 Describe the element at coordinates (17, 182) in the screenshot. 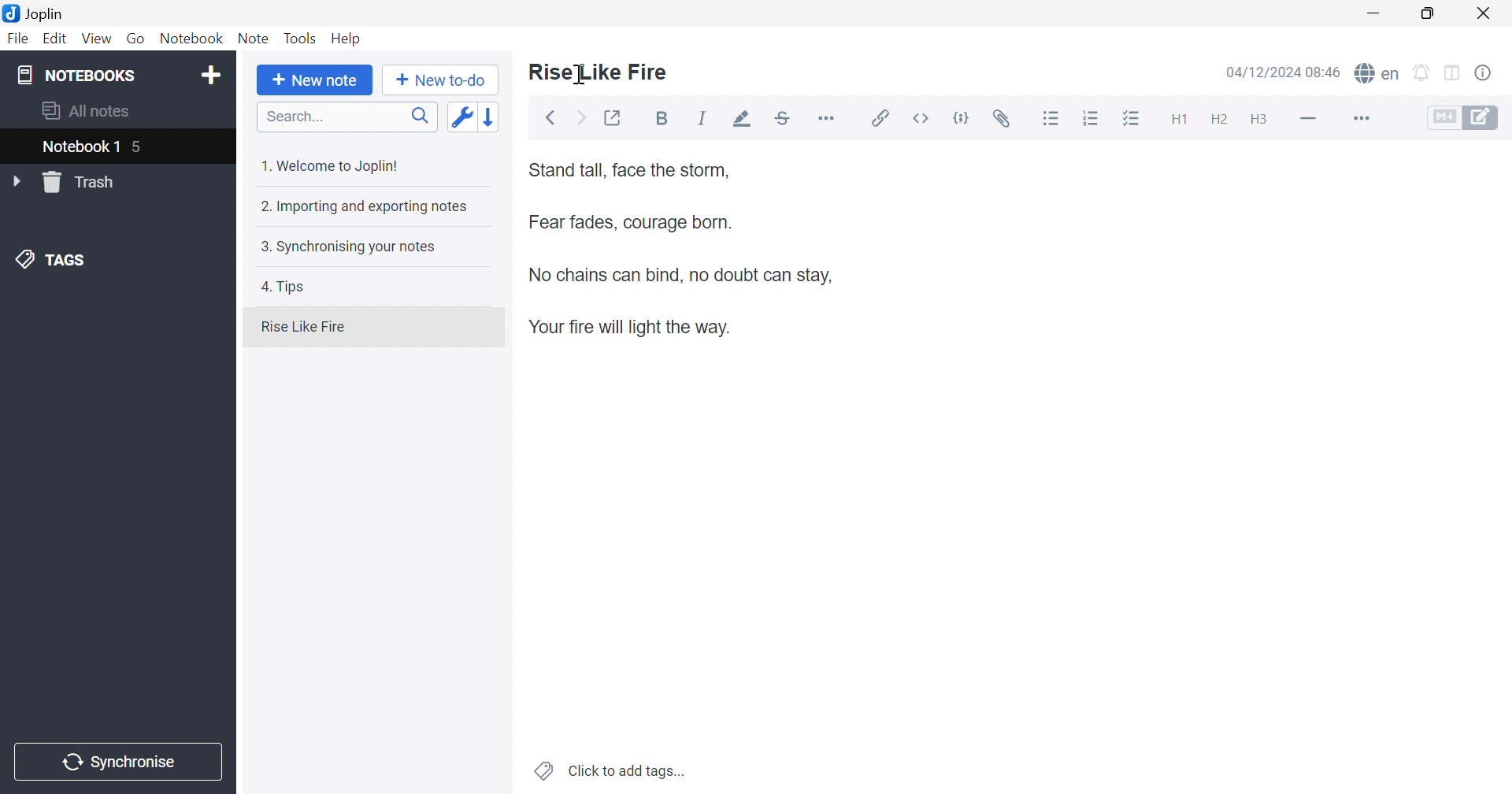

I see `Drop Down` at that location.